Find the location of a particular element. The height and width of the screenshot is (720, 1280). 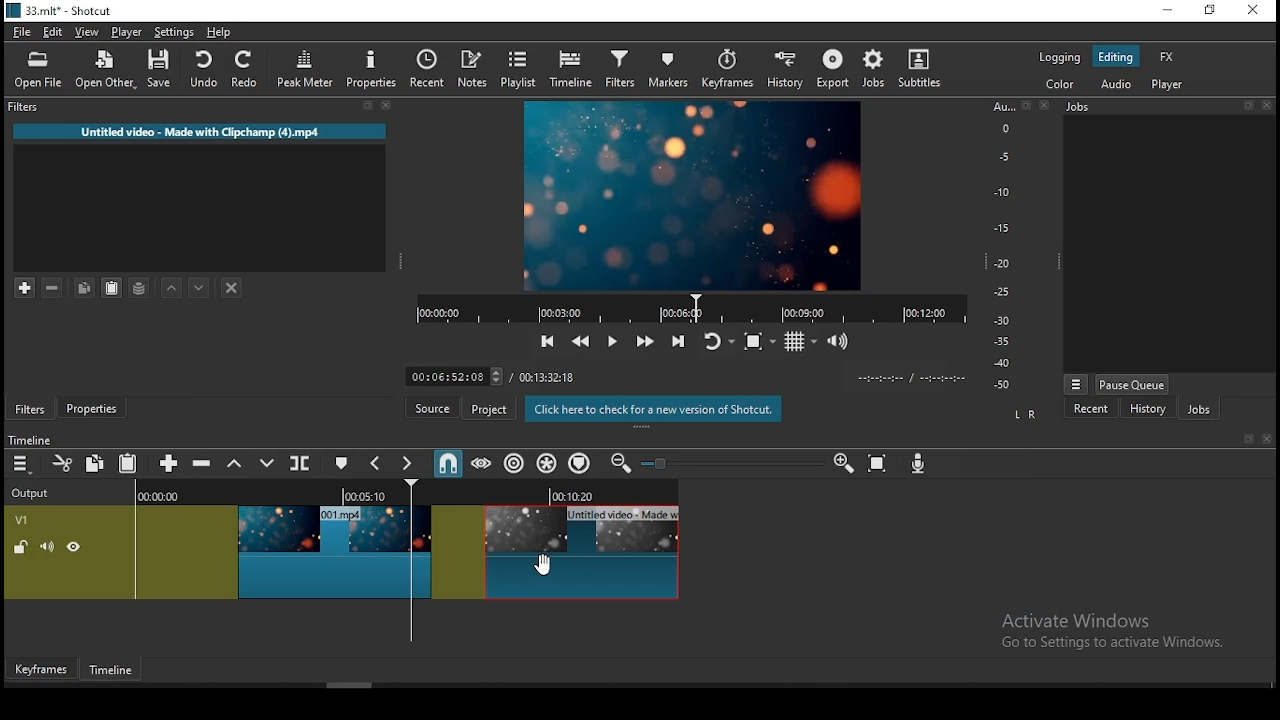

paste is located at coordinates (129, 464).